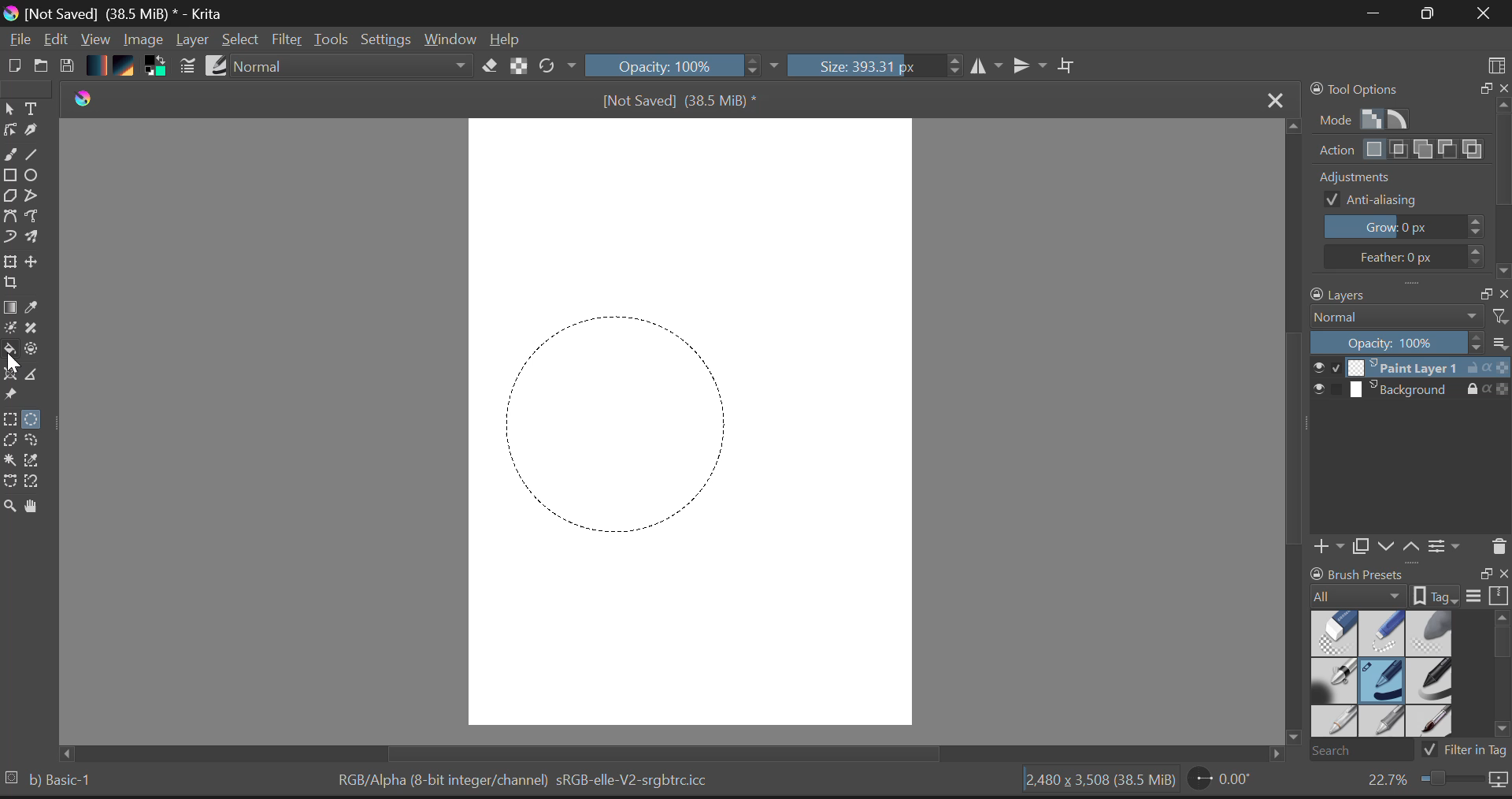 The width and height of the screenshot is (1512, 799). Describe the element at coordinates (69, 66) in the screenshot. I see `Save` at that location.